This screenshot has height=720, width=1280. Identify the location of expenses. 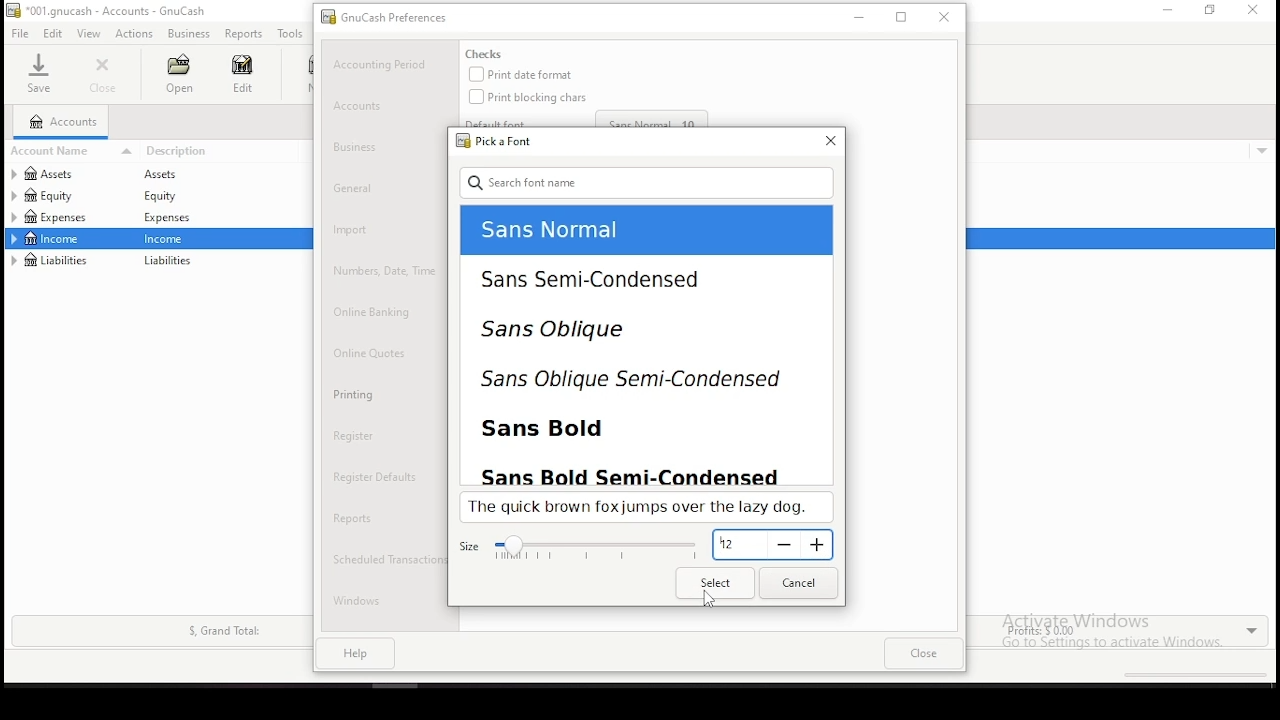
(67, 217).